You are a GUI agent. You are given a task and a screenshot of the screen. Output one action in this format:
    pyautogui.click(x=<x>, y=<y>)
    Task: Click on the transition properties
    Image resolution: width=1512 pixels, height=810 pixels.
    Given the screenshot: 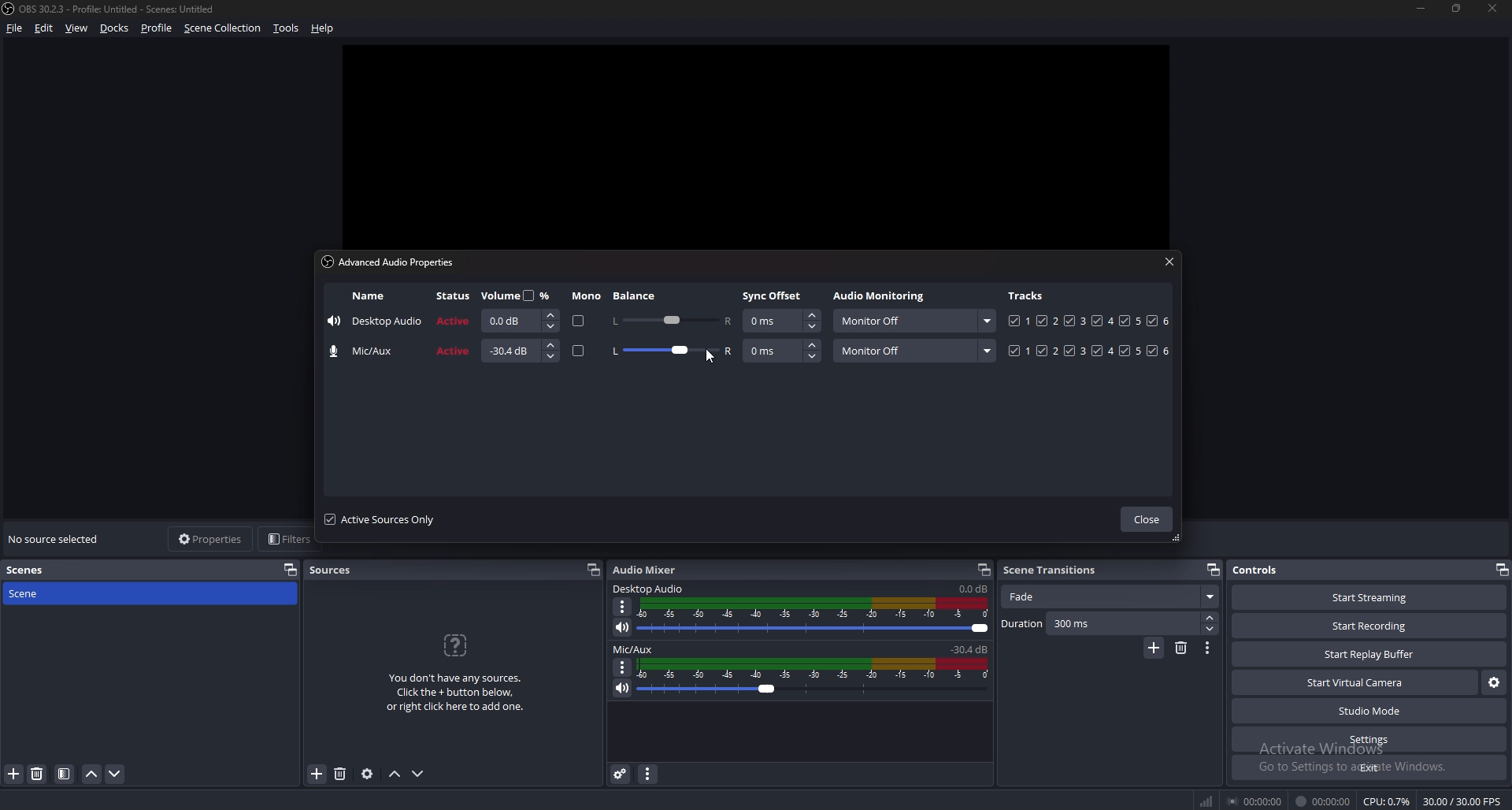 What is the action you would take?
    pyautogui.click(x=1207, y=648)
    